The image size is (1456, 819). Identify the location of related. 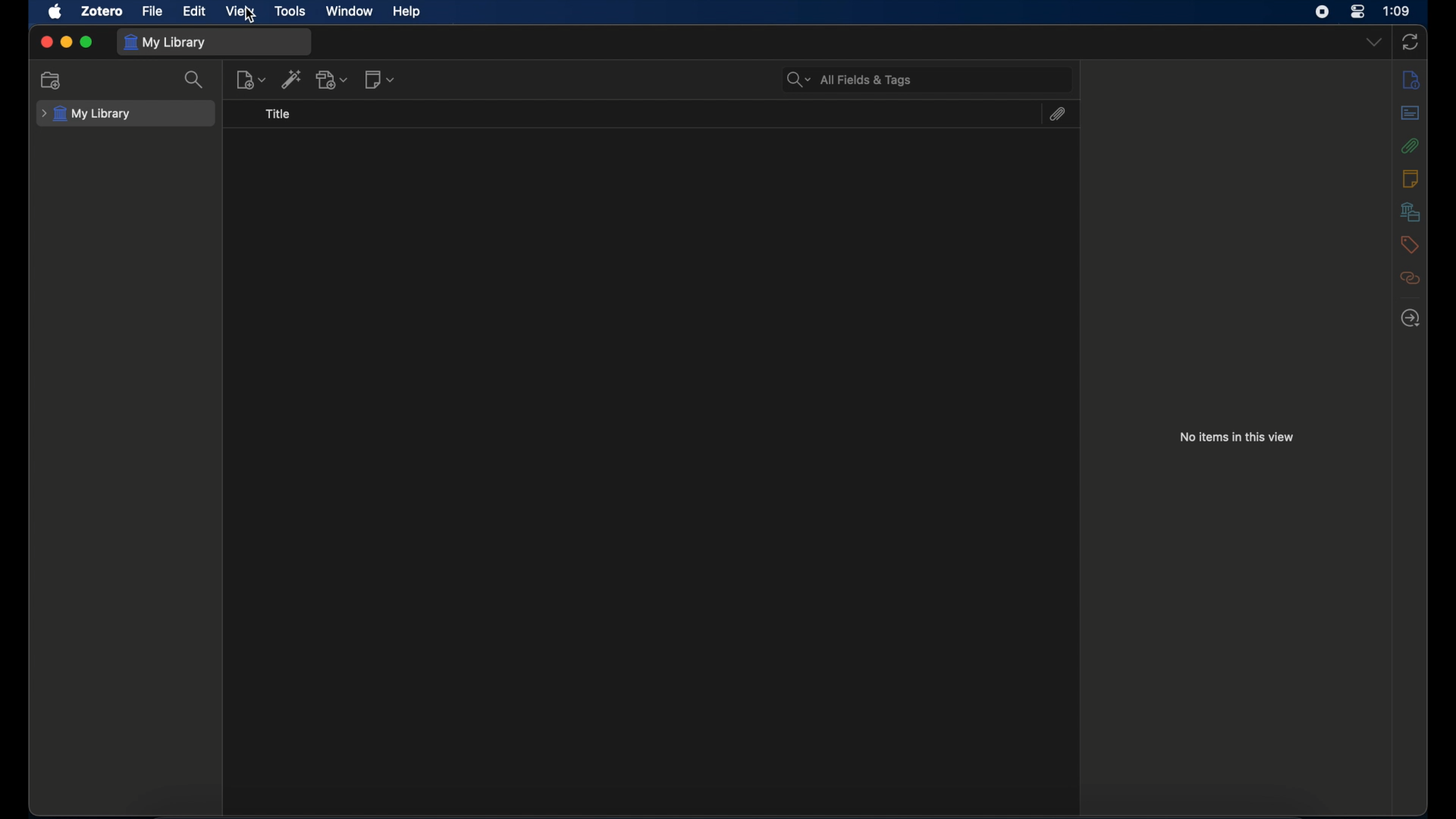
(1410, 278).